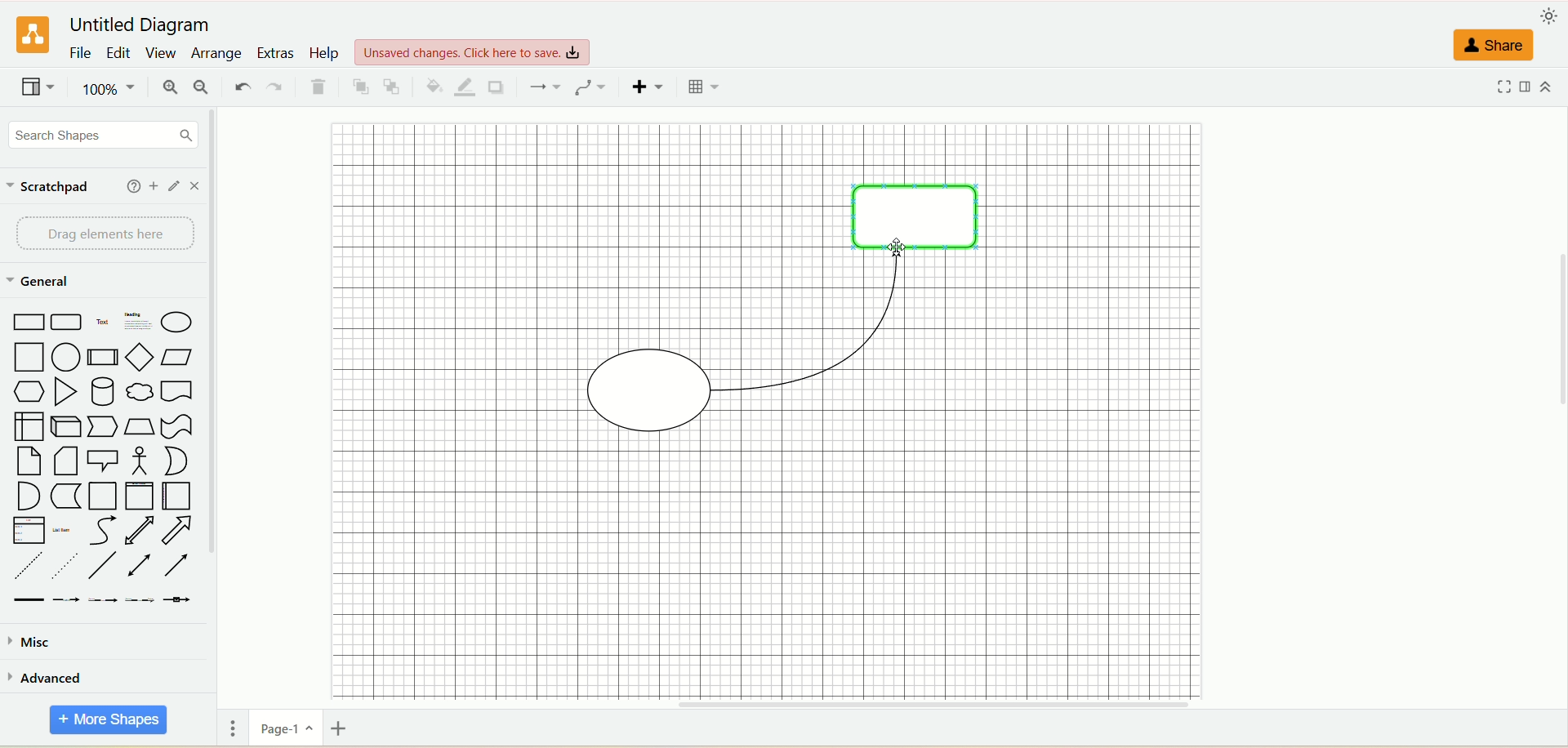 This screenshot has height=748, width=1568. I want to click on logo, so click(30, 36).